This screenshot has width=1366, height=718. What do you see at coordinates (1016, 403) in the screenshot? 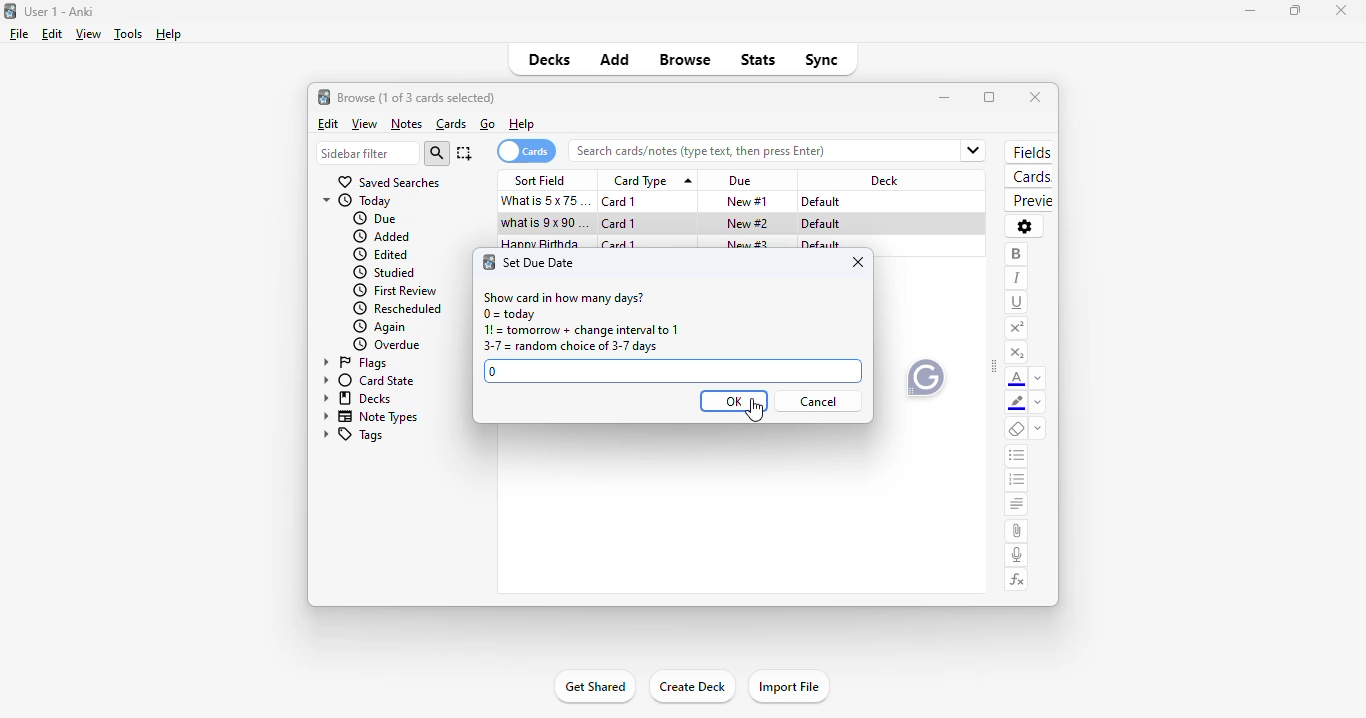
I see `text highlighting color` at bounding box center [1016, 403].